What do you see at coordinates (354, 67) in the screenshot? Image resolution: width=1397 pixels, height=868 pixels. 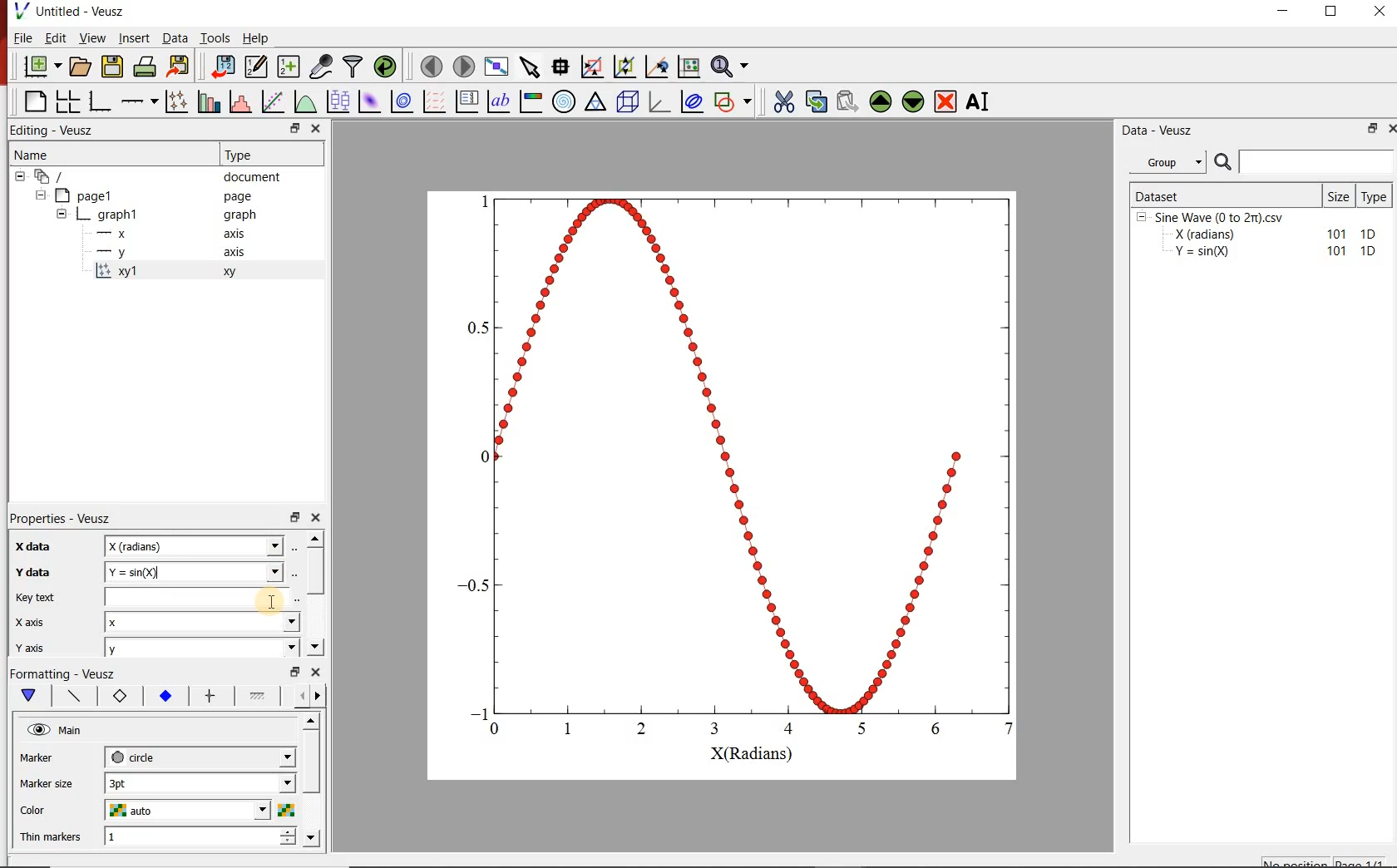 I see `filter data` at bounding box center [354, 67].